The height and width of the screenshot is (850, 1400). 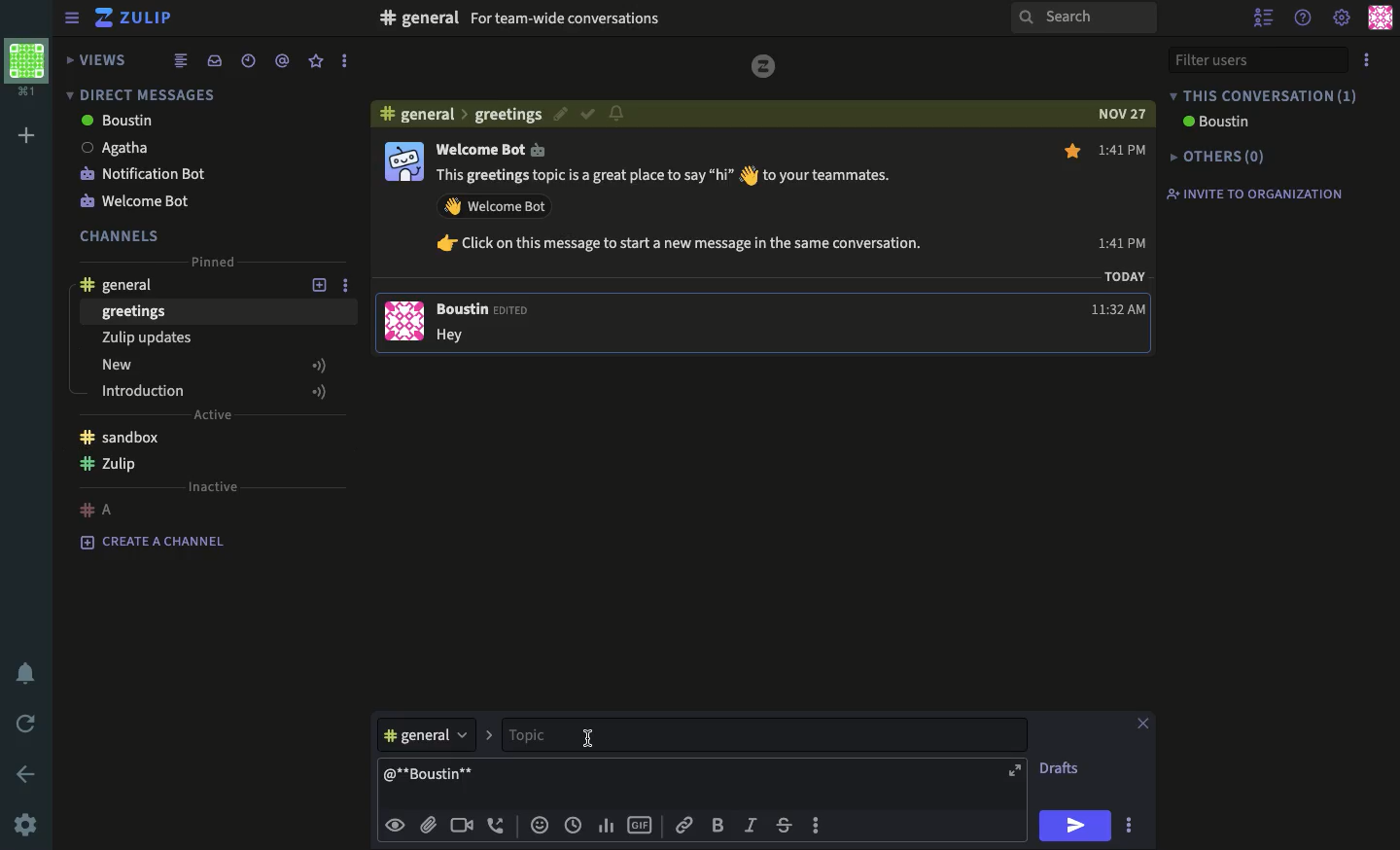 I want to click on visible, so click(x=398, y=825).